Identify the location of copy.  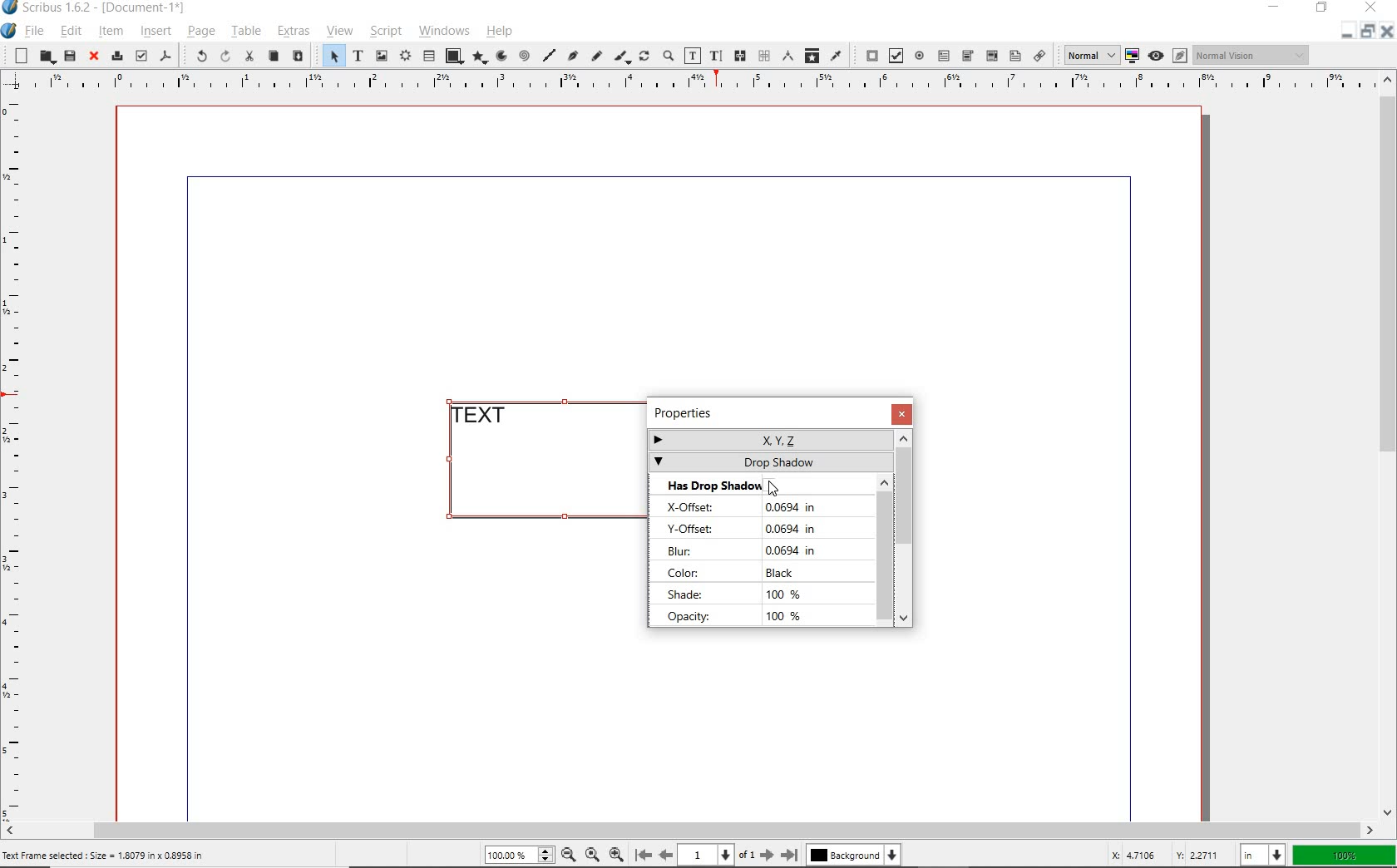
(274, 57).